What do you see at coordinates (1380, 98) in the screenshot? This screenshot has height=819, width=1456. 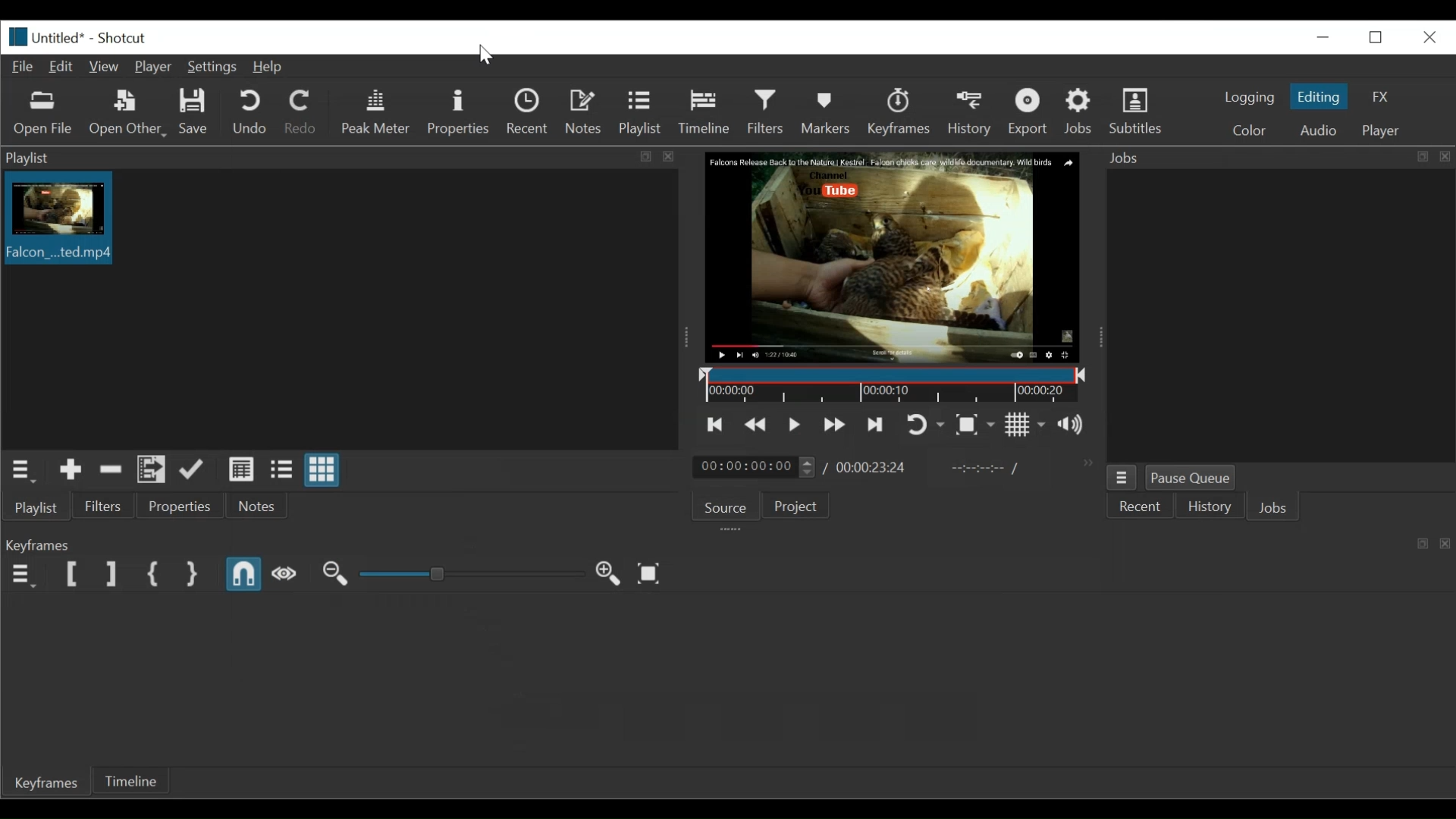 I see `FX` at bounding box center [1380, 98].